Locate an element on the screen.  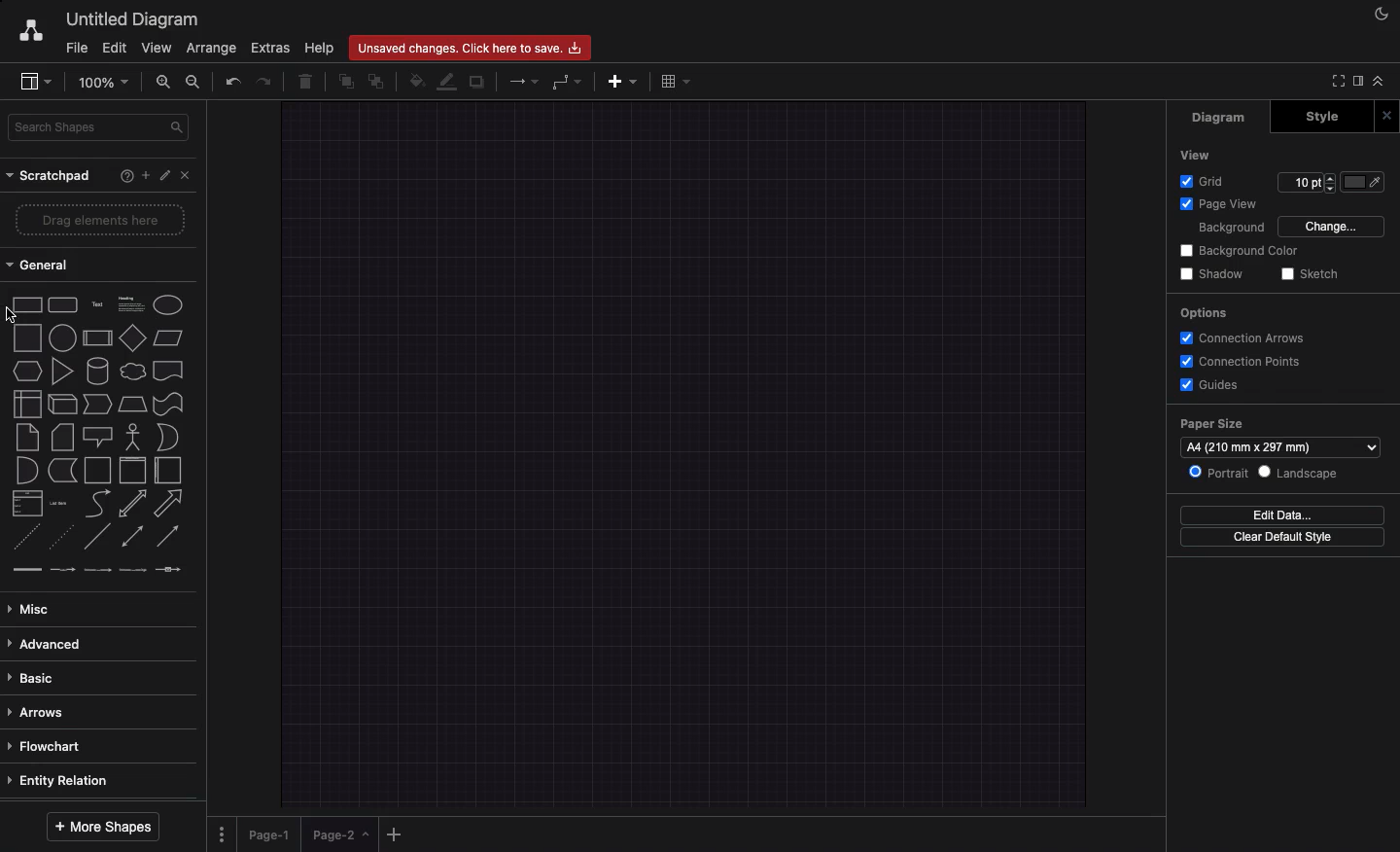
Add is located at coordinates (142, 175).